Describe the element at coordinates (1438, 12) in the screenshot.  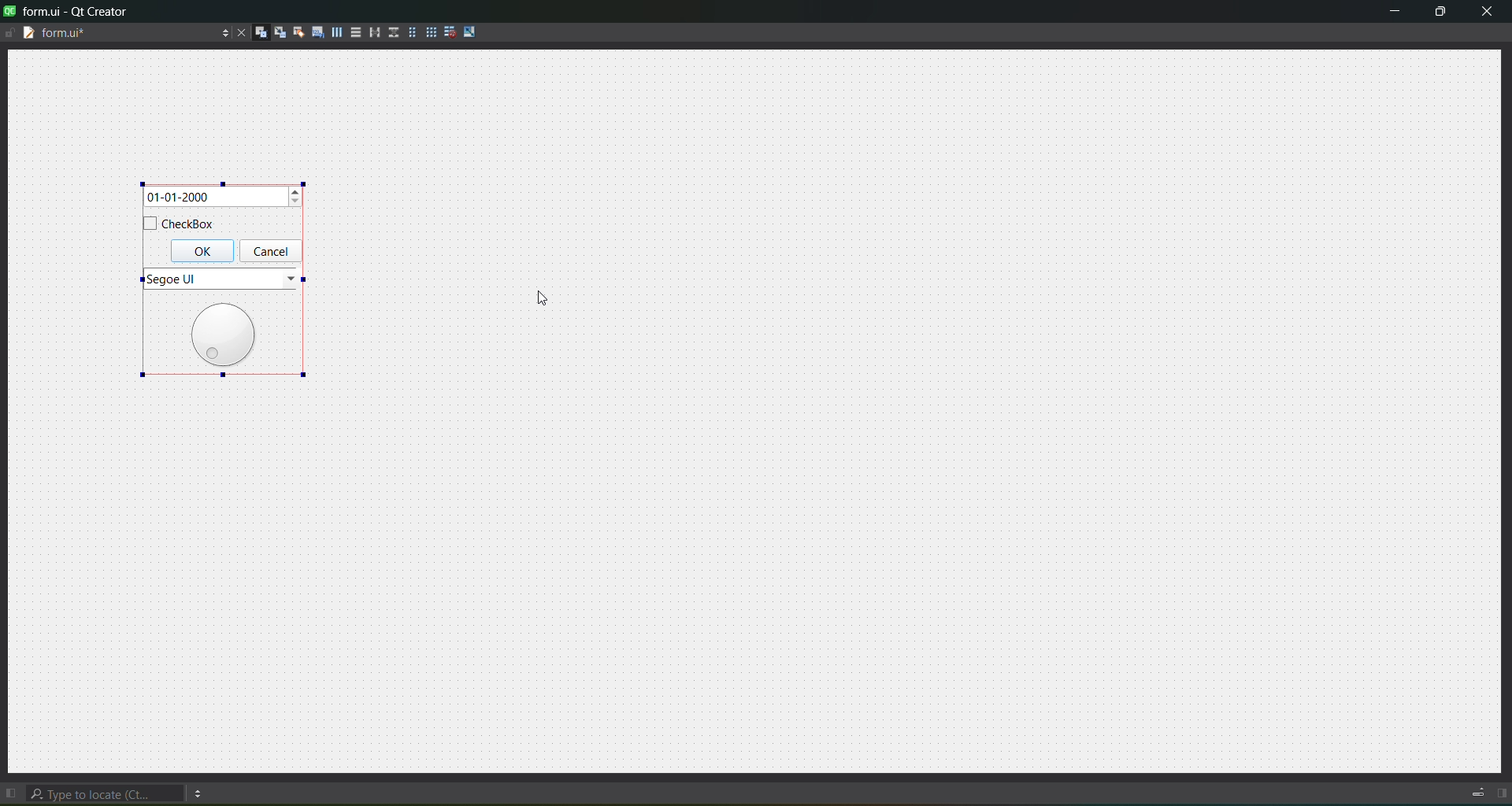
I see `maximize` at that location.